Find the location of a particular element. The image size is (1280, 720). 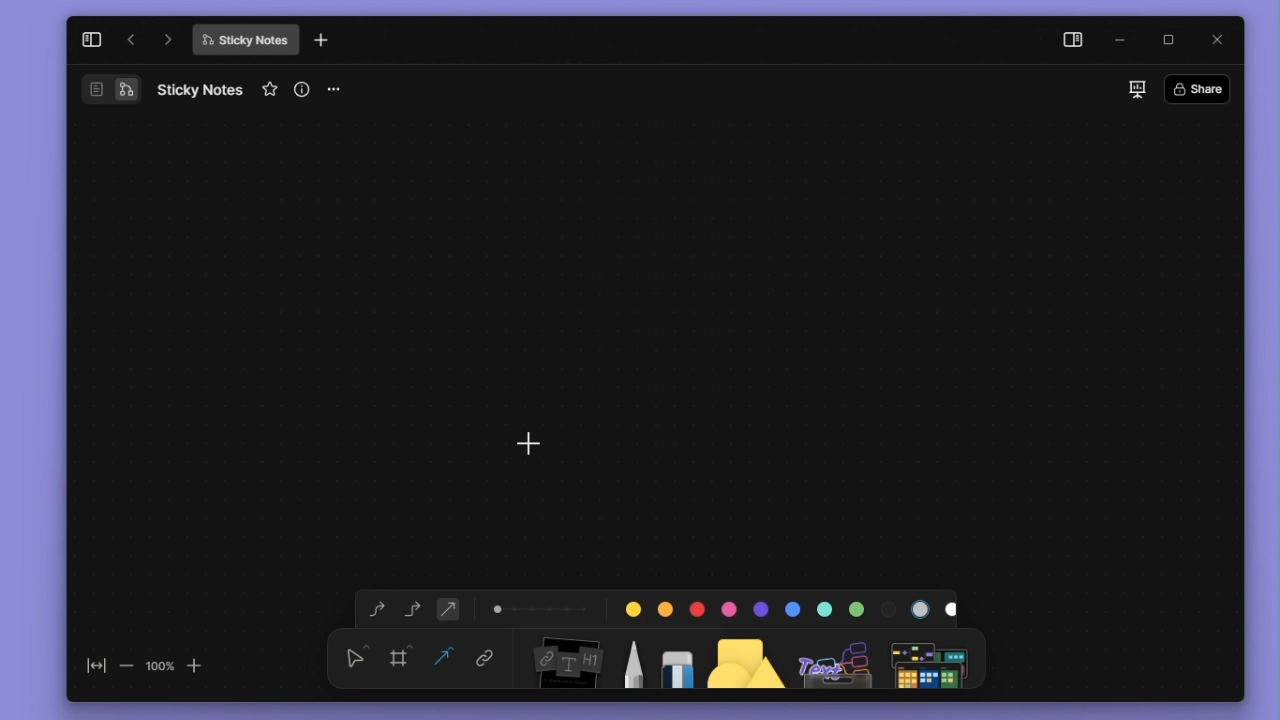

close is located at coordinates (1219, 38).